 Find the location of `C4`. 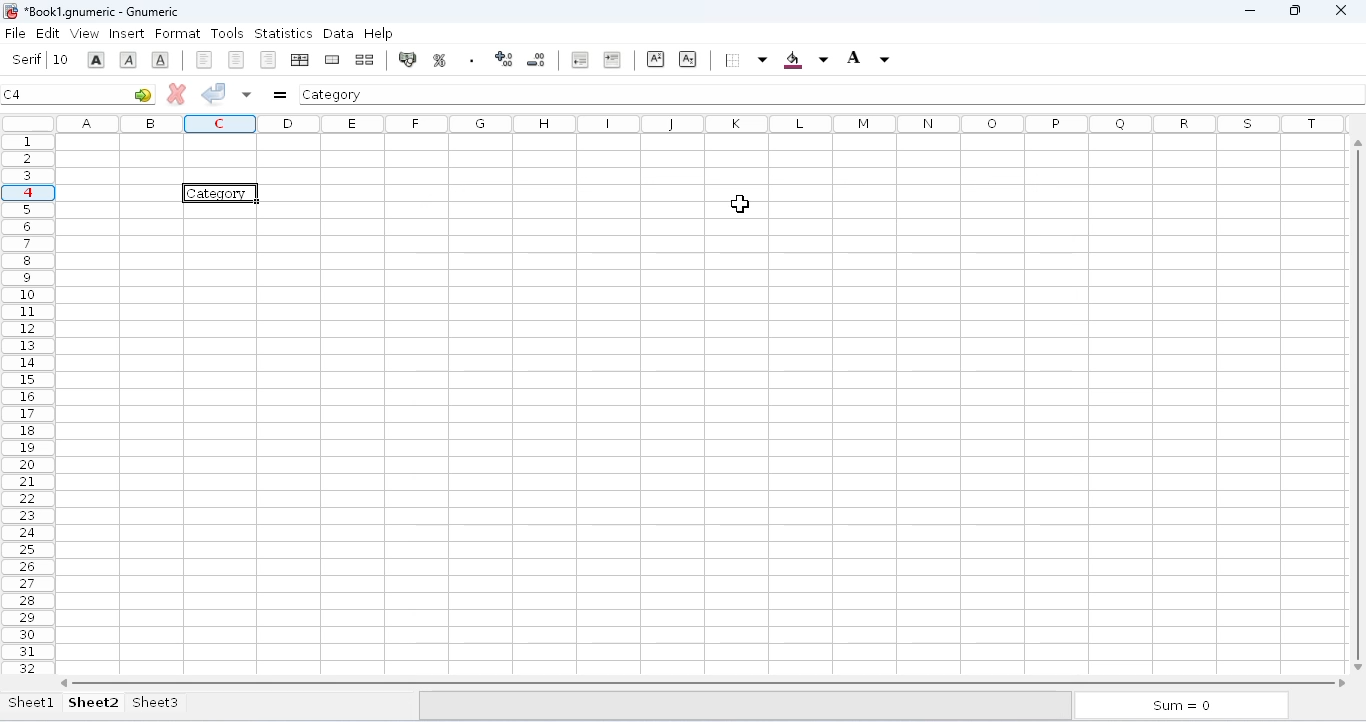

C4 is located at coordinates (13, 94).